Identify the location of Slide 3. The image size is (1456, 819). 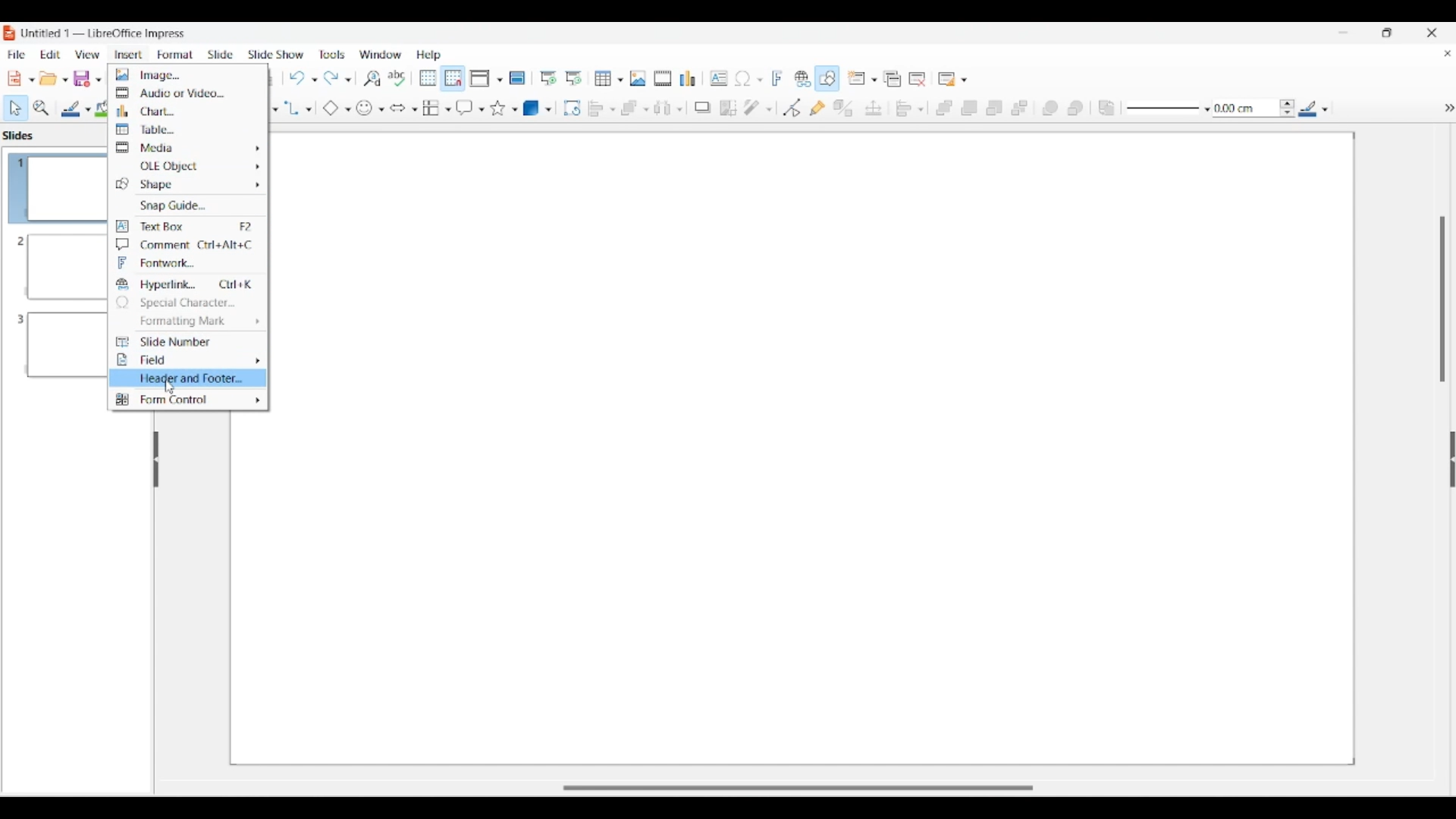
(52, 350).